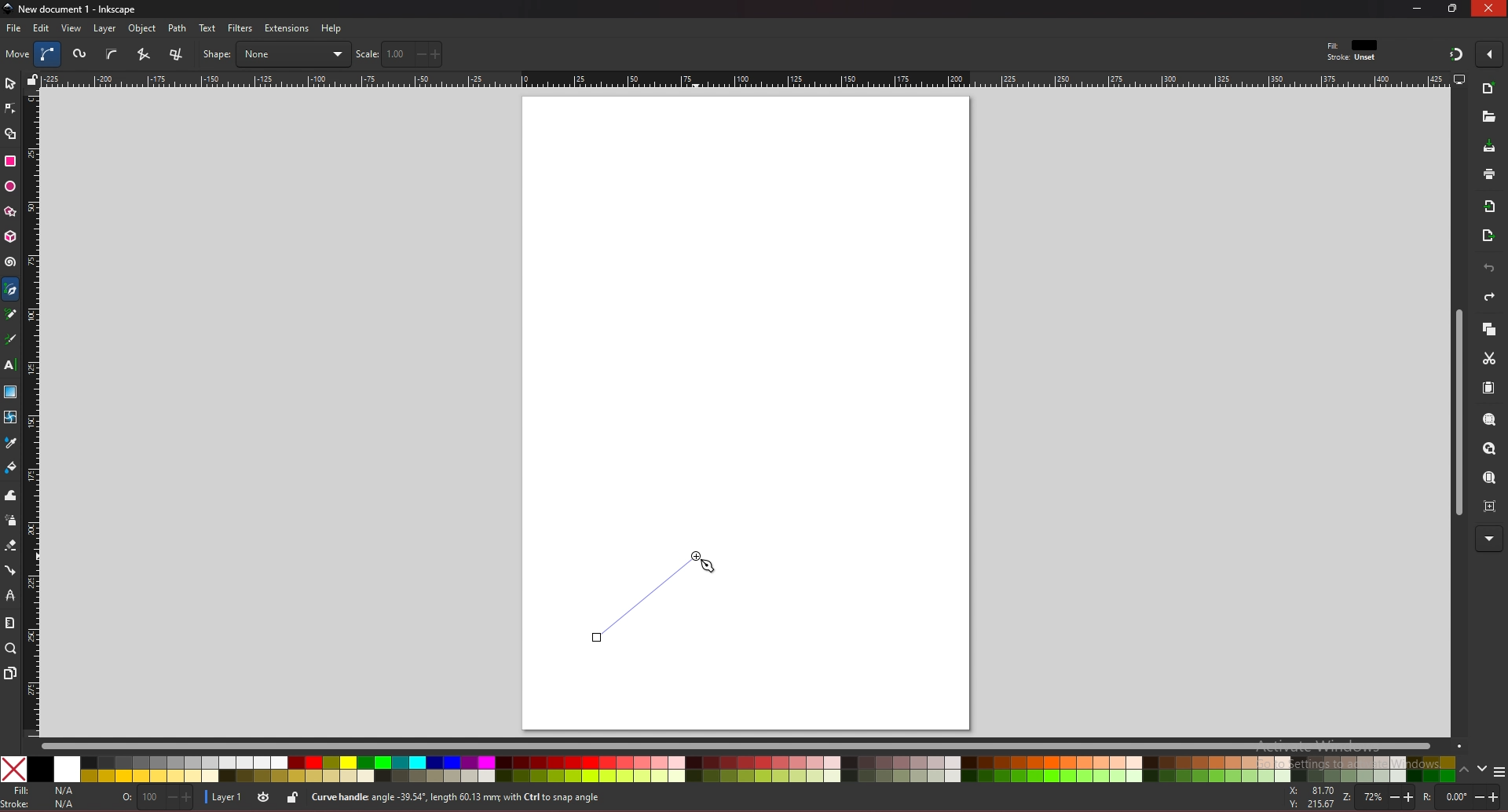 The height and width of the screenshot is (812, 1508). What do you see at coordinates (13, 28) in the screenshot?
I see `file` at bounding box center [13, 28].